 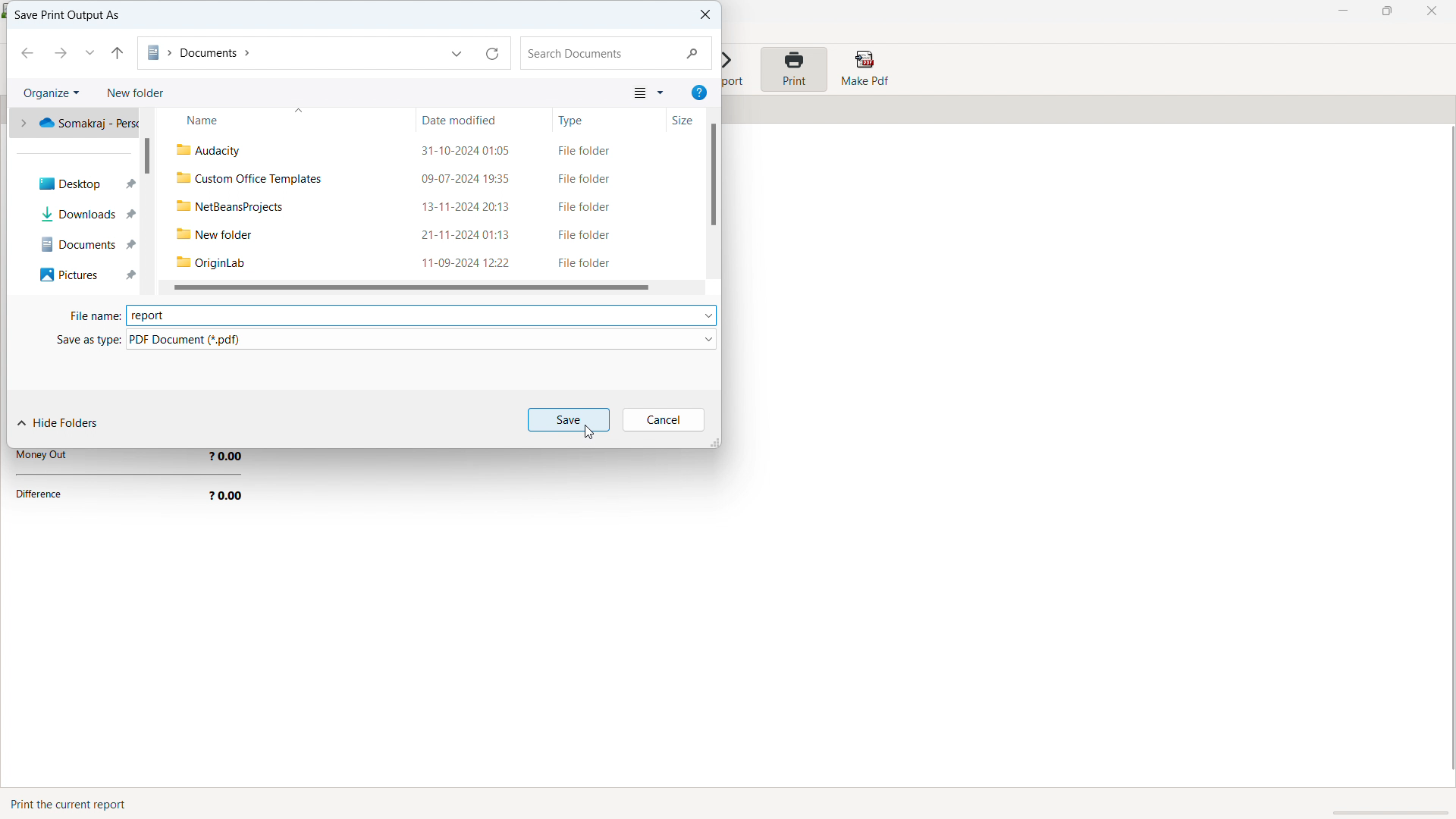 What do you see at coordinates (616, 53) in the screenshot?
I see `search in folder` at bounding box center [616, 53].